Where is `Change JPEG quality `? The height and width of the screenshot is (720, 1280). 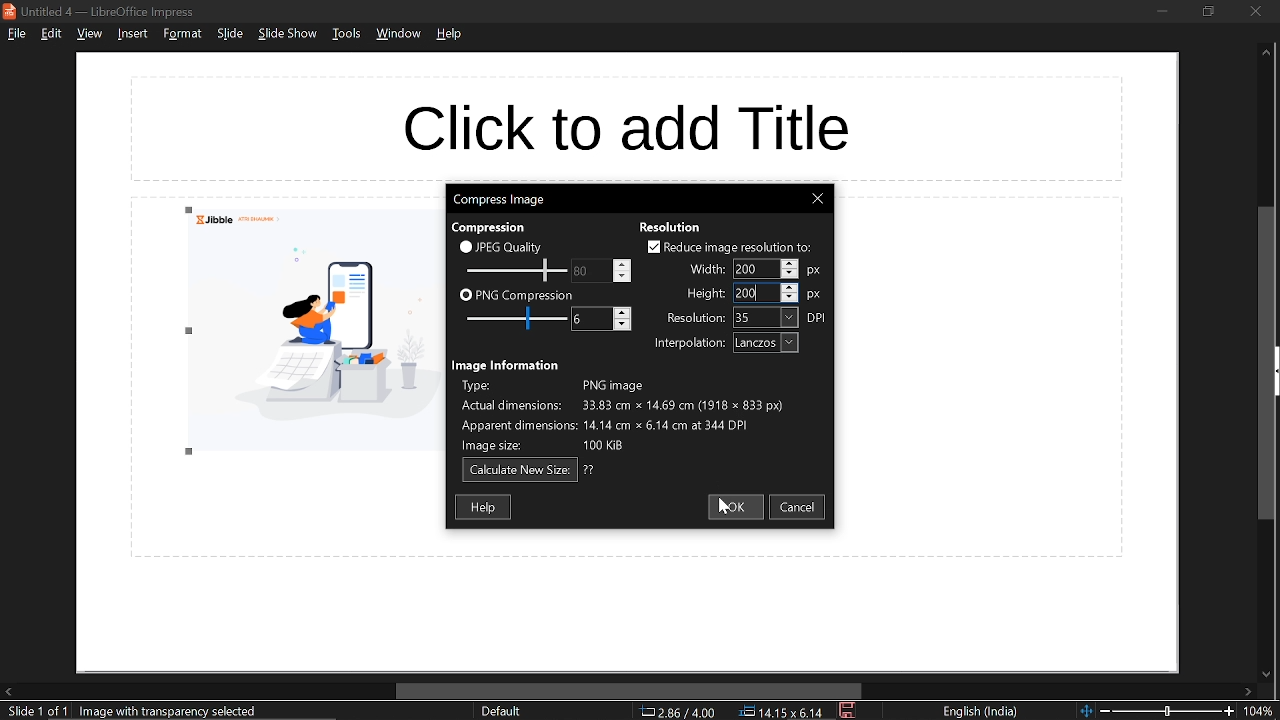 Change JPEG quality  is located at coordinates (516, 271).